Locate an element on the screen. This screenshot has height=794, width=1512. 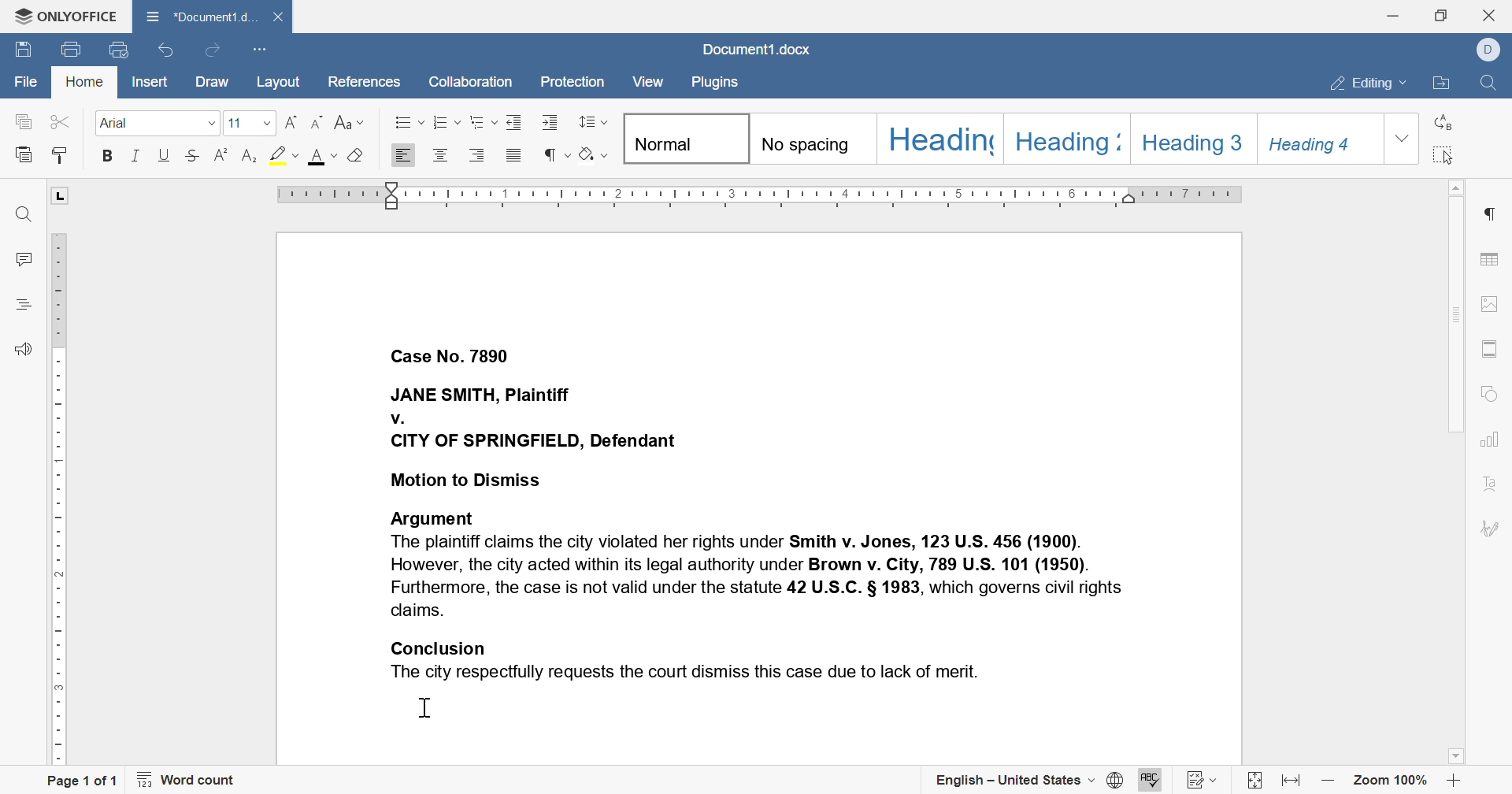
select all is located at coordinates (1444, 154).